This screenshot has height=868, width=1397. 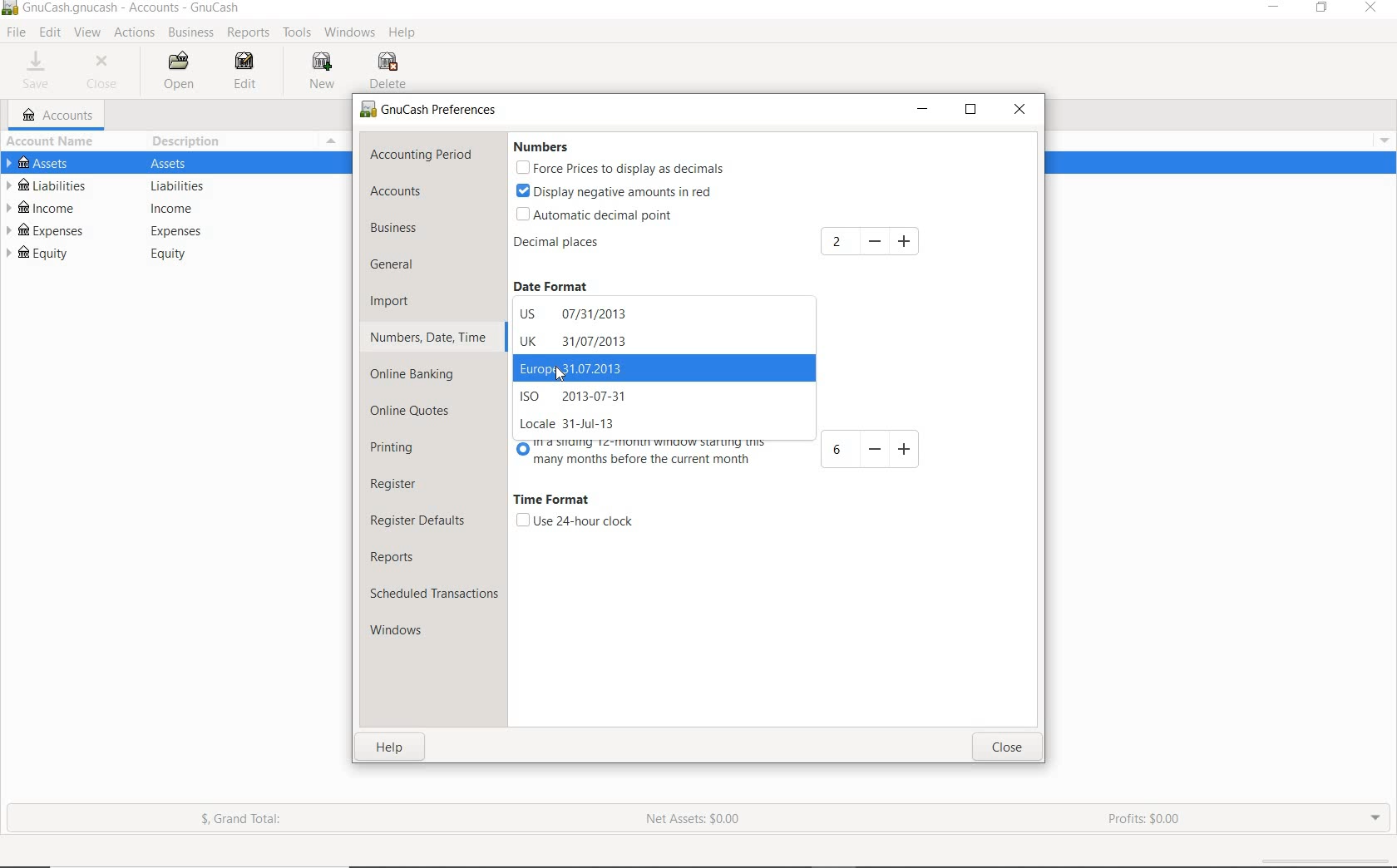 What do you see at coordinates (106, 72) in the screenshot?
I see `CLOSE` at bounding box center [106, 72].